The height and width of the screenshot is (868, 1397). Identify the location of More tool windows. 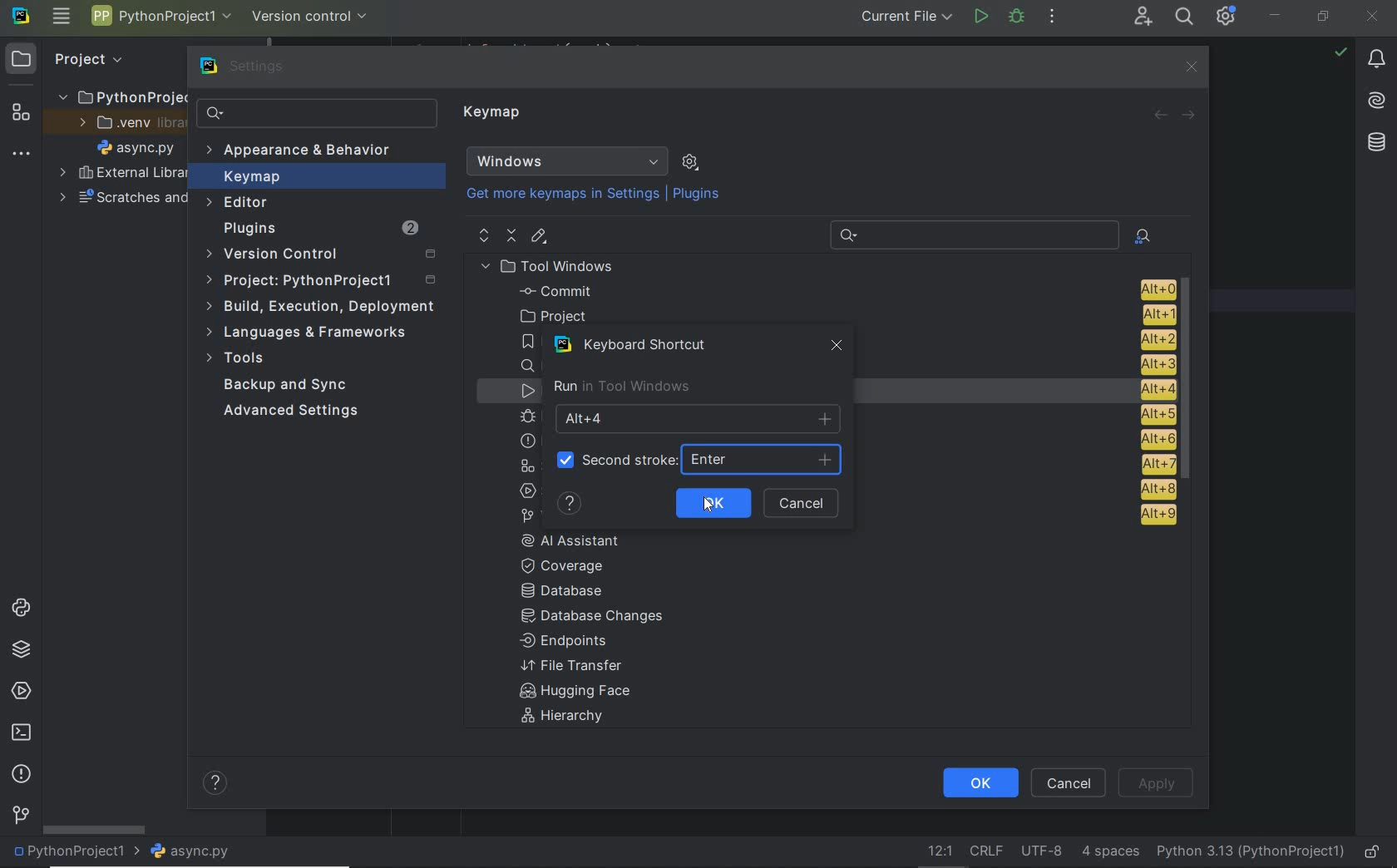
(22, 150).